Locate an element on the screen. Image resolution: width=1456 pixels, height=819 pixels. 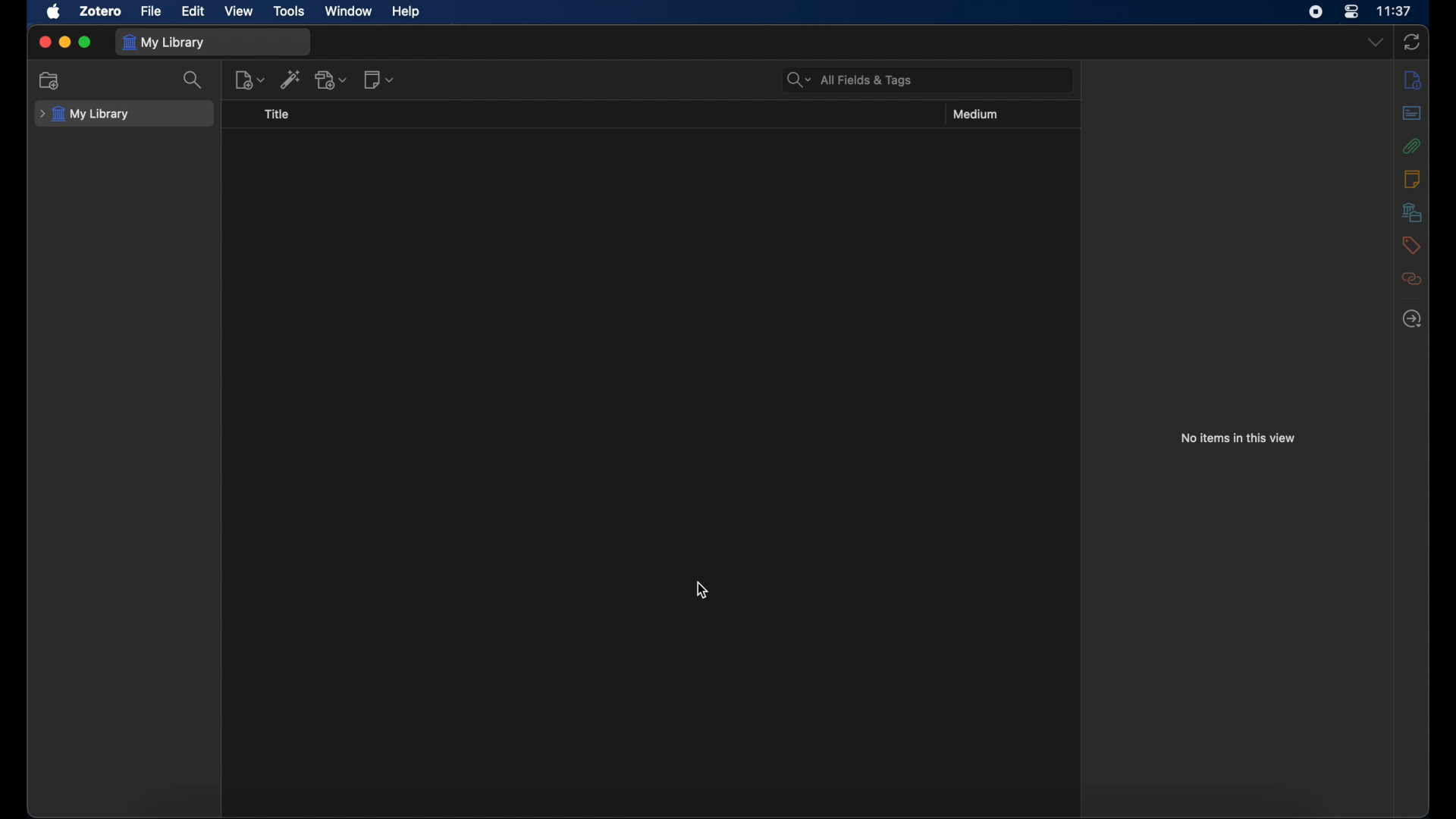
help is located at coordinates (406, 12).